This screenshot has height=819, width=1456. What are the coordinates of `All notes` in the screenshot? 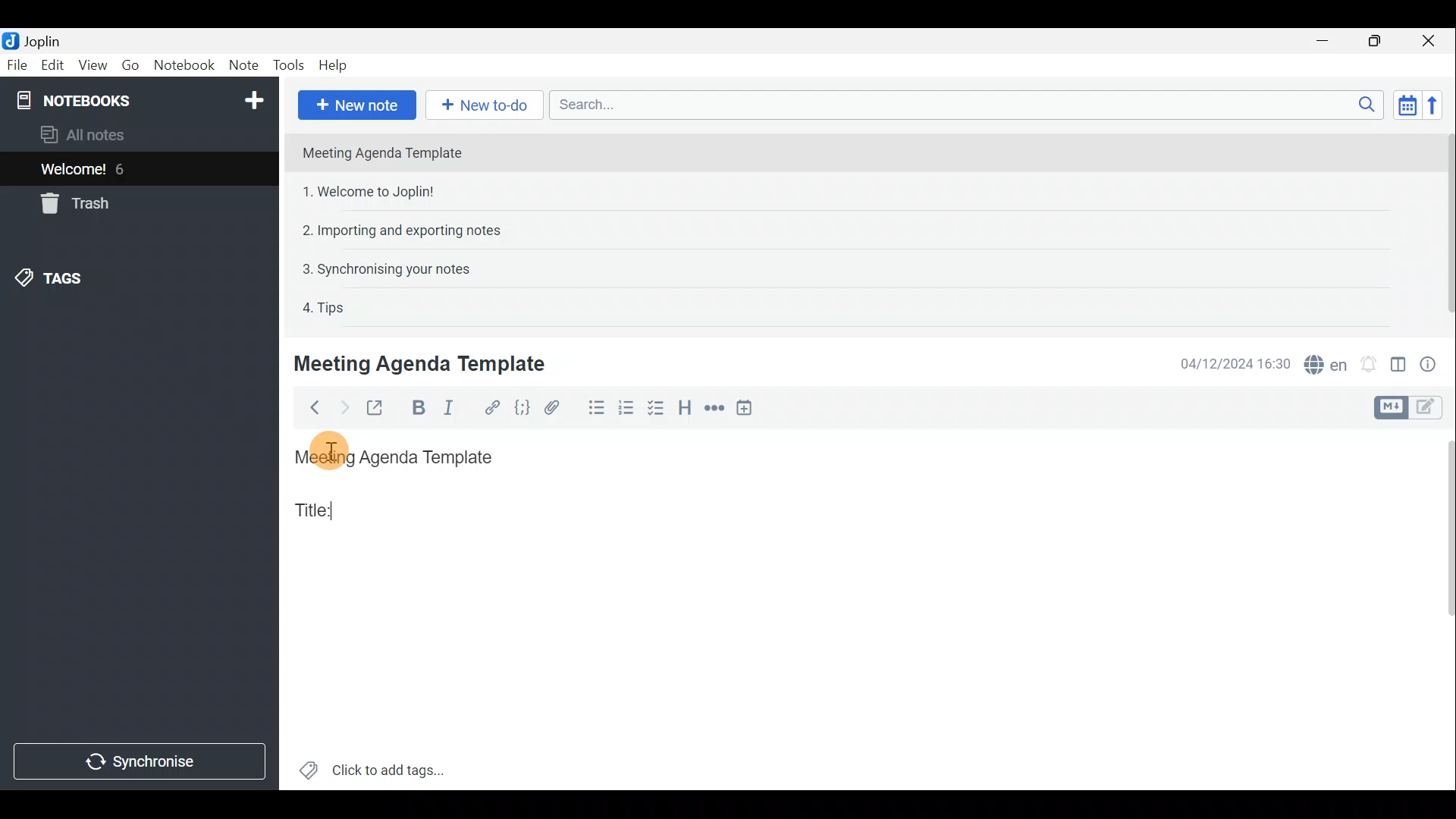 It's located at (108, 134).